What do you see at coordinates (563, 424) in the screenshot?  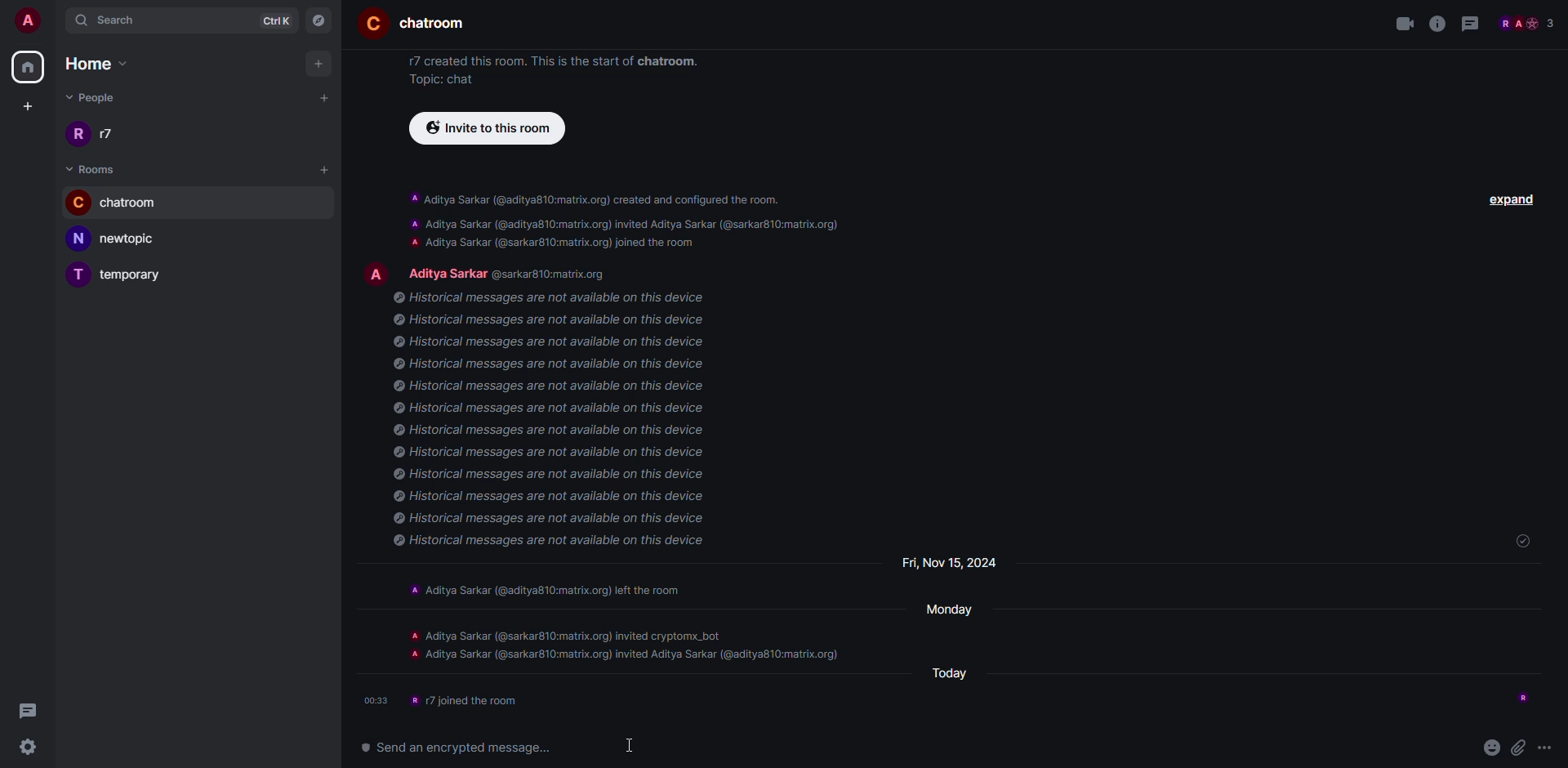 I see `@ Historical messages are not available on this device
© Historical messages are not available on this device
© Historical messages are not available on this device
© Historical messages are not available on this device
© Historical messages are not available on this device
© Historical messages are not available on this device
© Historical messages are not available on this device
© Historical messages are not available on this device
© Historical messages are not available on this device
© Historical messages are not available on this device
© Historical messages are not available on this device
© Historical messages are not available on this device` at bounding box center [563, 424].